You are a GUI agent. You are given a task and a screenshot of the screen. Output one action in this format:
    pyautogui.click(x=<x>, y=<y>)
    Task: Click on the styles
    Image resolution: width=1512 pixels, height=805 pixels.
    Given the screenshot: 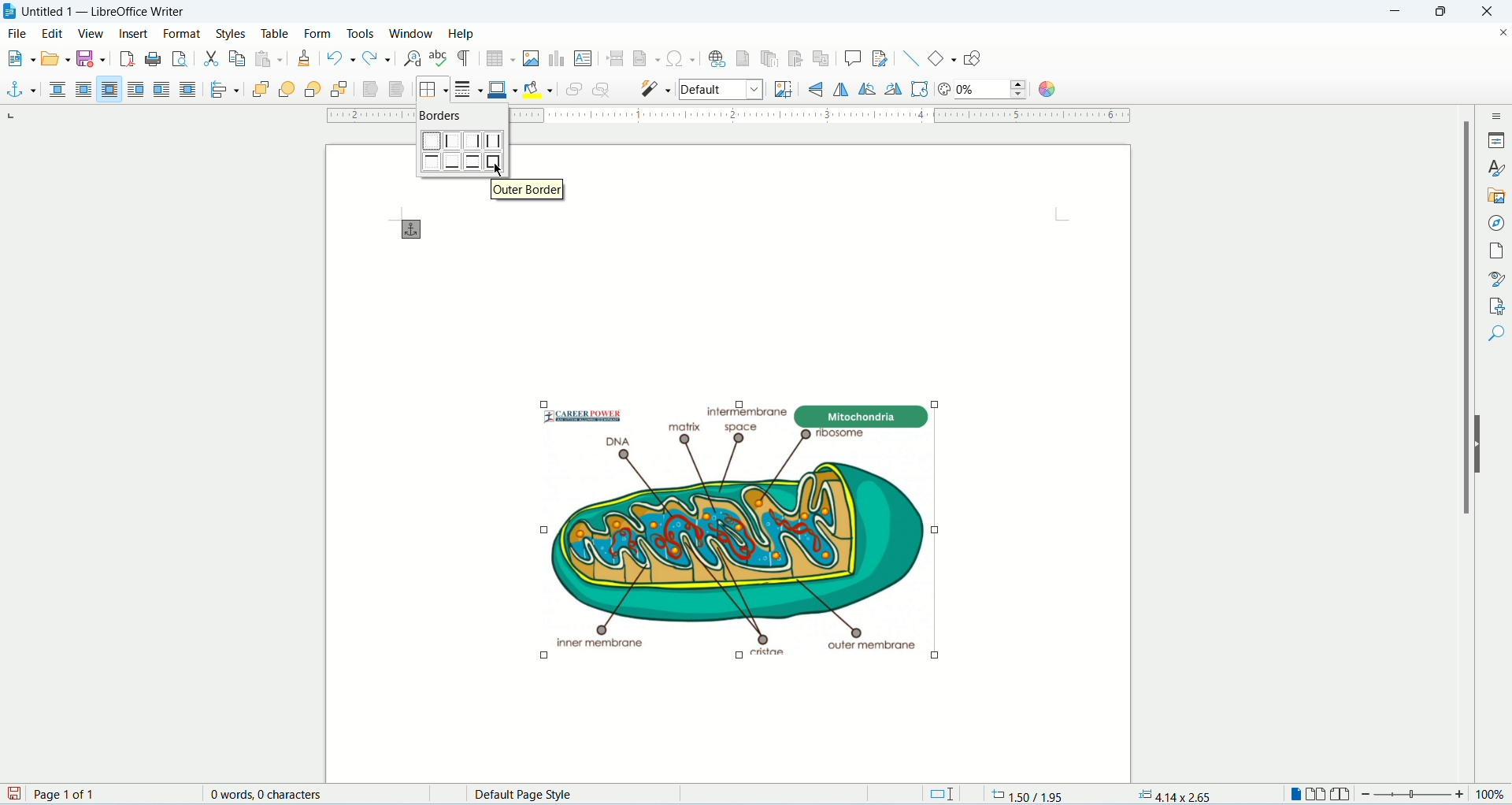 What is the action you would take?
    pyautogui.click(x=1496, y=168)
    